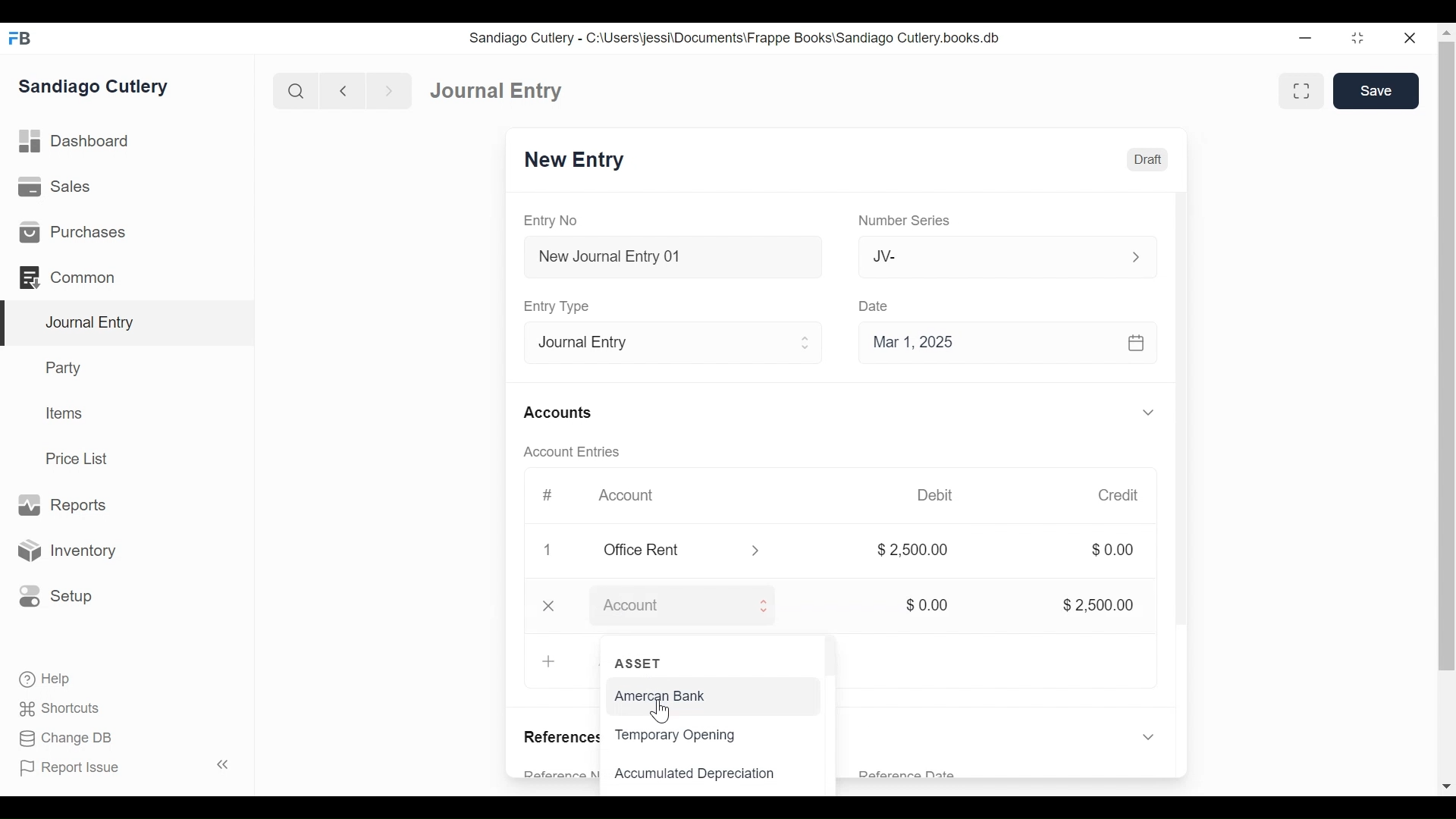  Describe the element at coordinates (554, 551) in the screenshot. I see `delete` at that location.